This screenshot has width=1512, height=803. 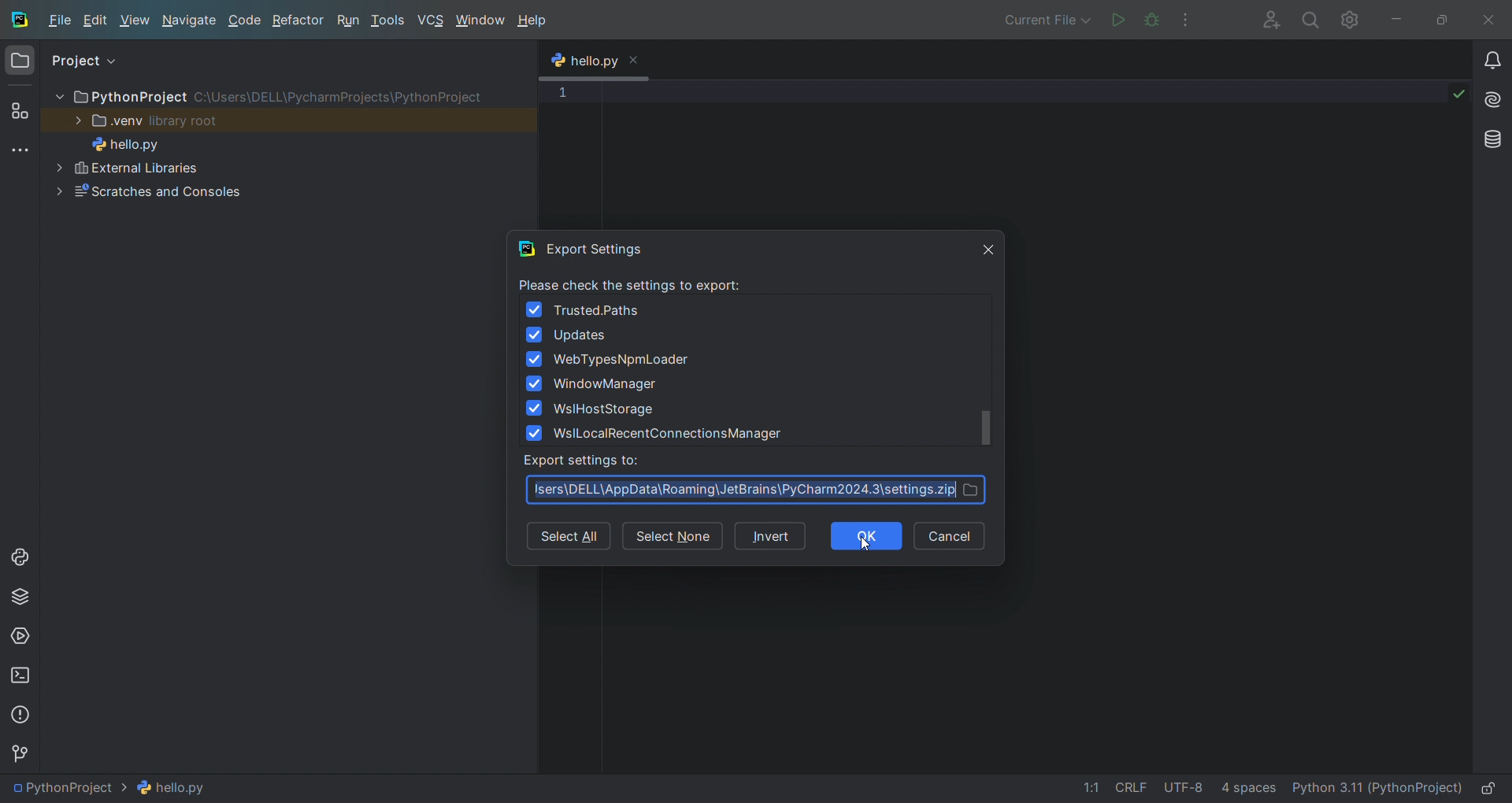 What do you see at coordinates (1265, 19) in the screenshot?
I see `collab` at bounding box center [1265, 19].